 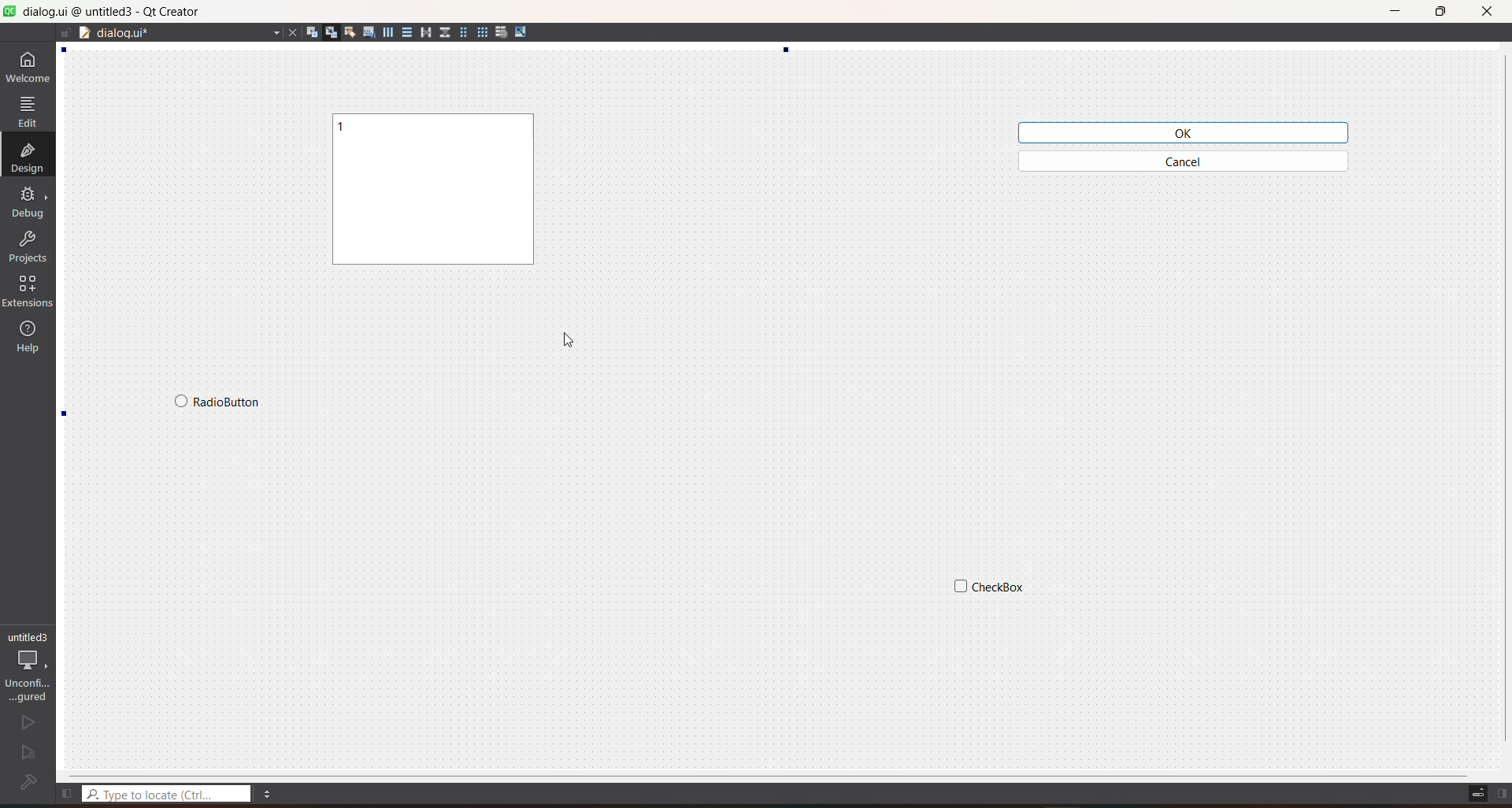 I want to click on help, so click(x=29, y=337).